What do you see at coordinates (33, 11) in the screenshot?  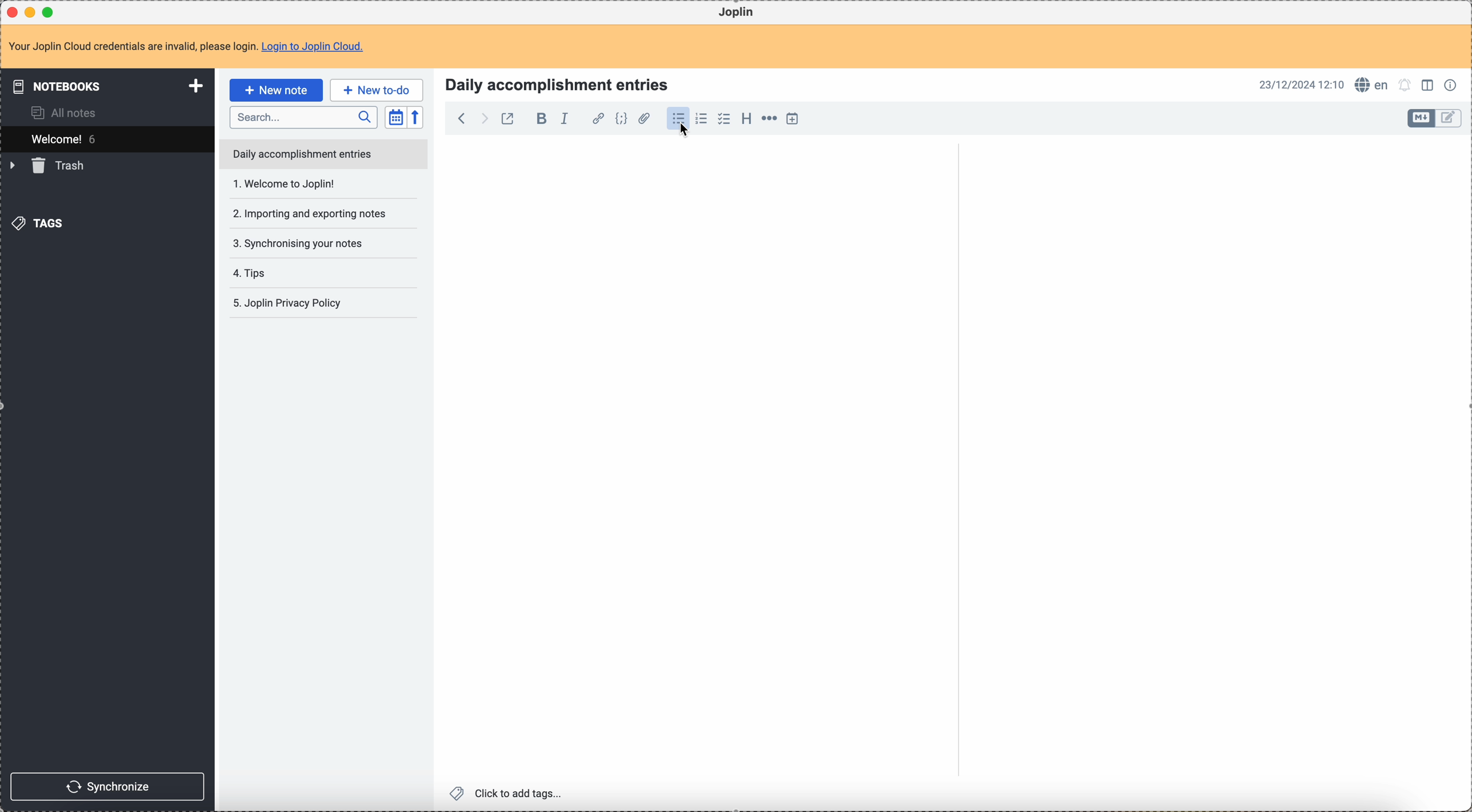 I see `minimize` at bounding box center [33, 11].